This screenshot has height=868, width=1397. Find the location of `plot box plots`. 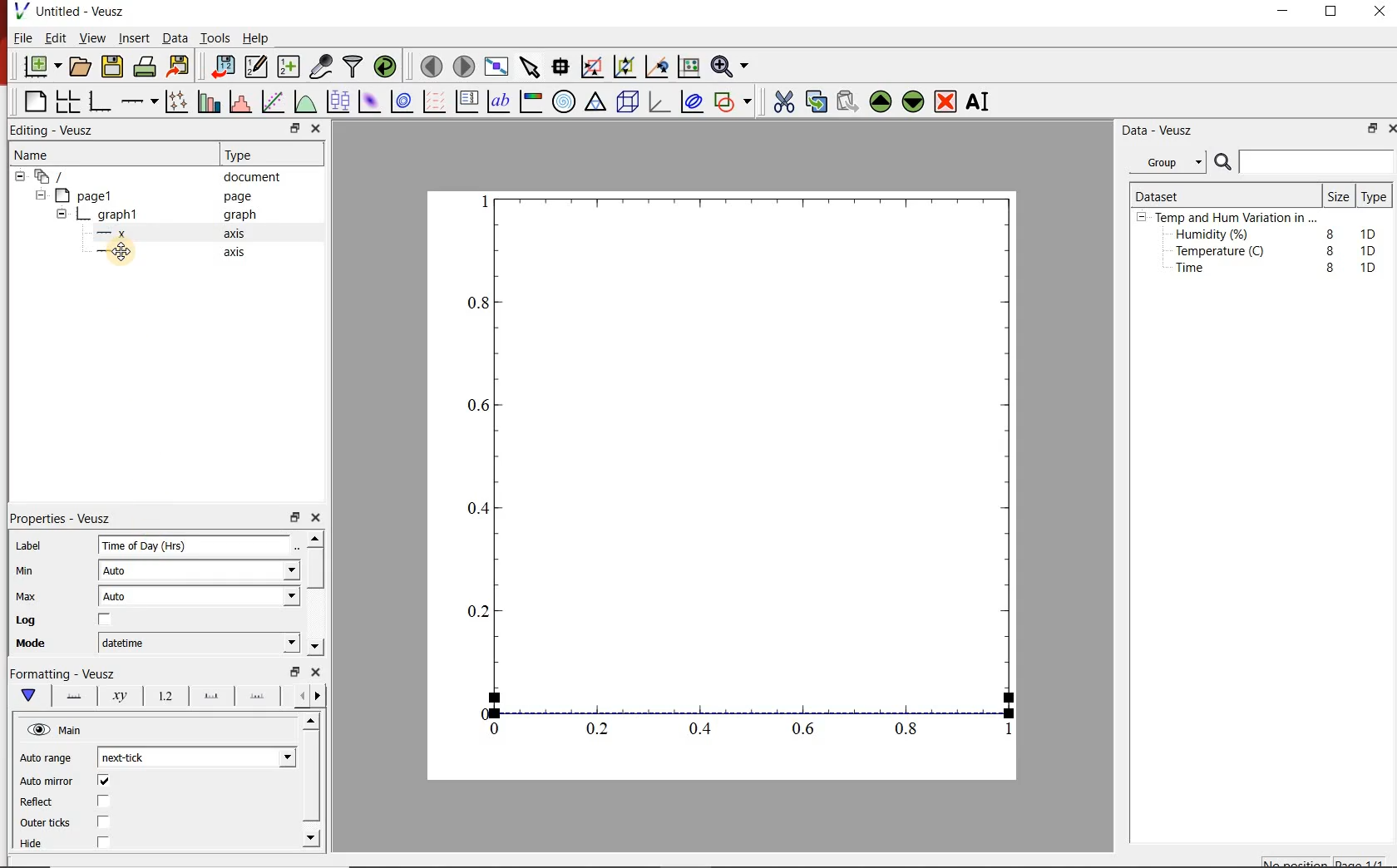

plot box plots is located at coordinates (338, 102).